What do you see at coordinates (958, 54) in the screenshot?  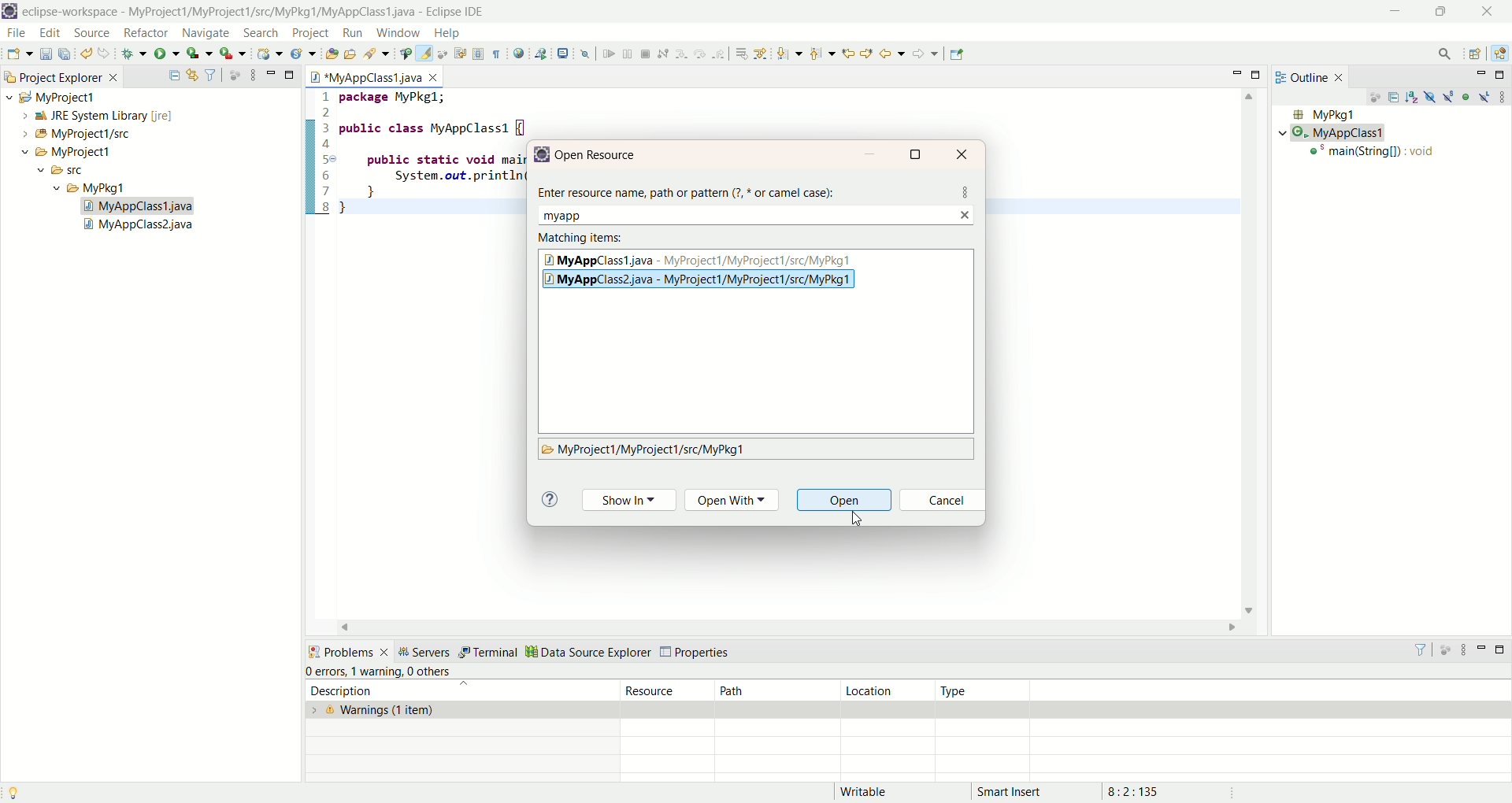 I see `Pin editor` at bounding box center [958, 54].